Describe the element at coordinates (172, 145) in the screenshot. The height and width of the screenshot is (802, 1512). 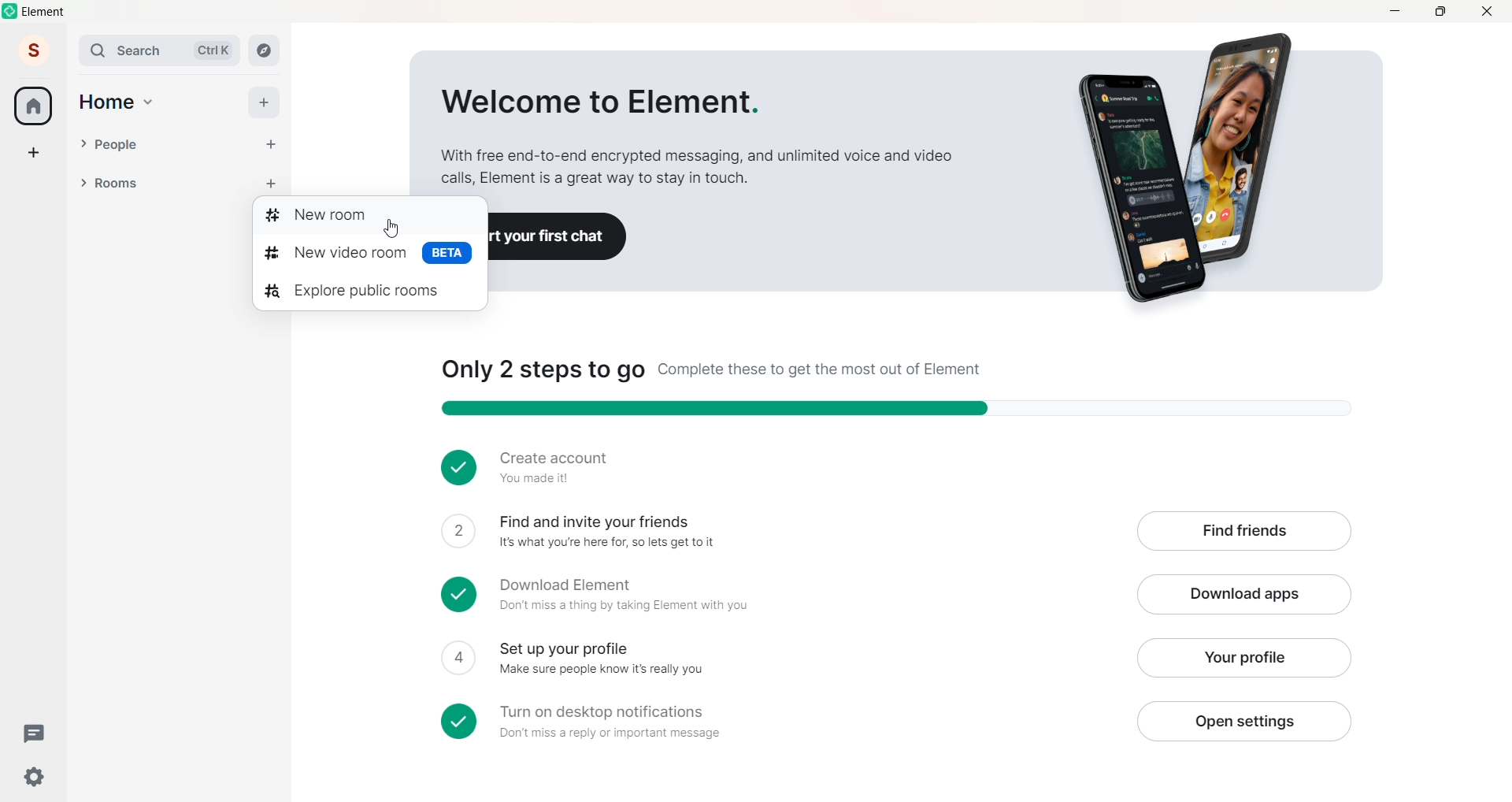
I see `People` at that location.